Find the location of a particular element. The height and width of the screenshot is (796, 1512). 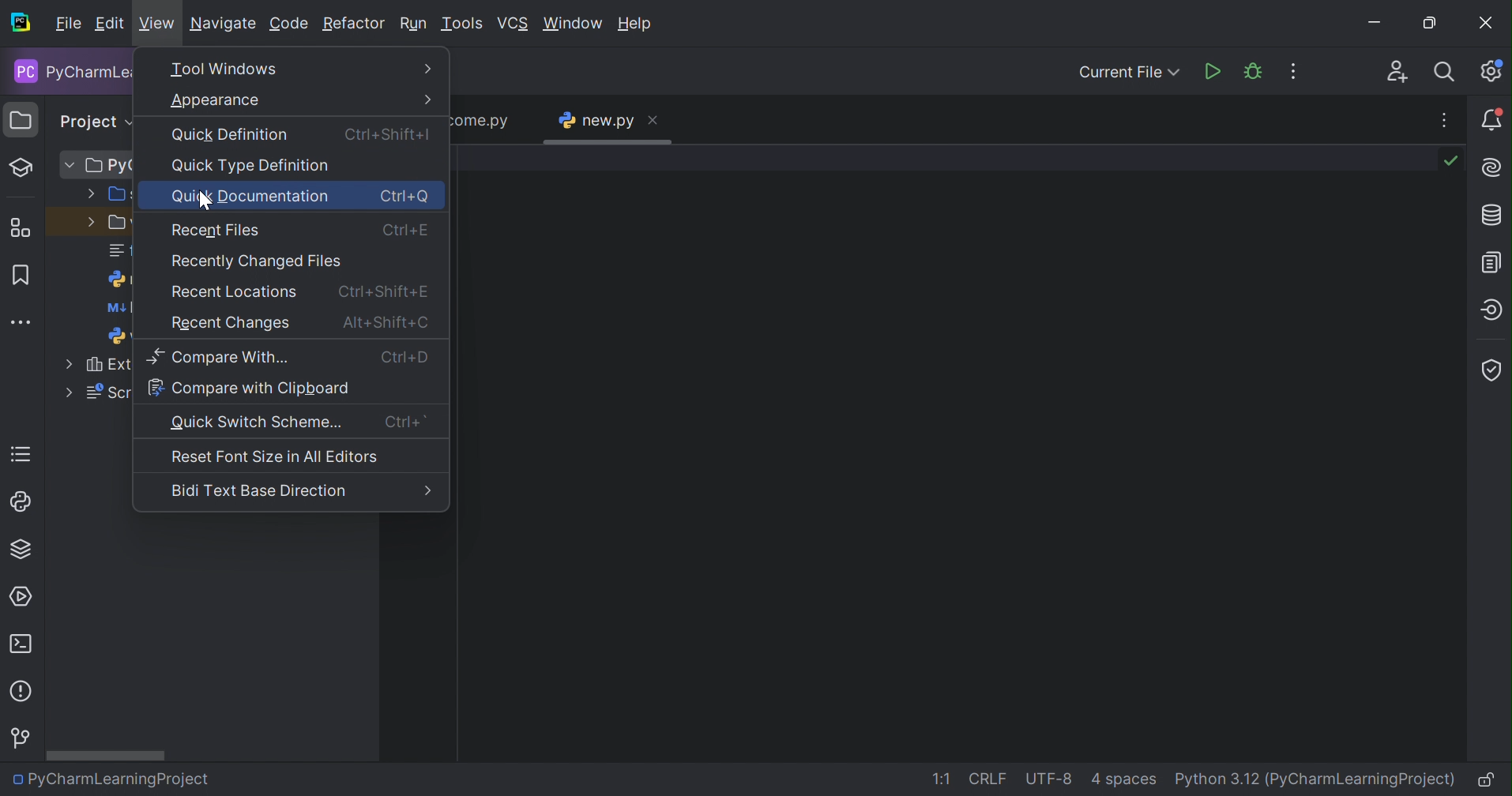

cursor is located at coordinates (214, 203).